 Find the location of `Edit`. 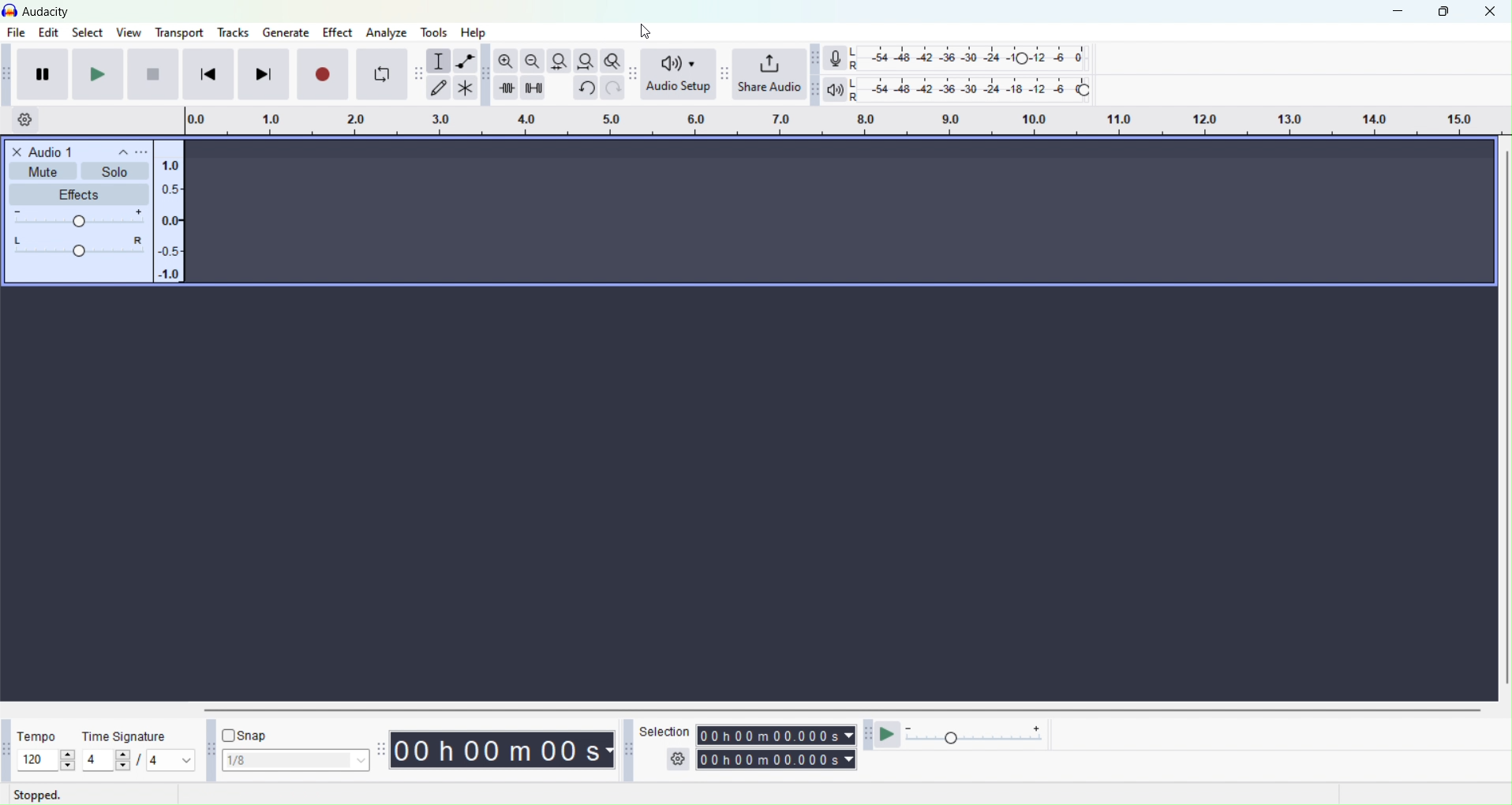

Edit is located at coordinates (51, 32).